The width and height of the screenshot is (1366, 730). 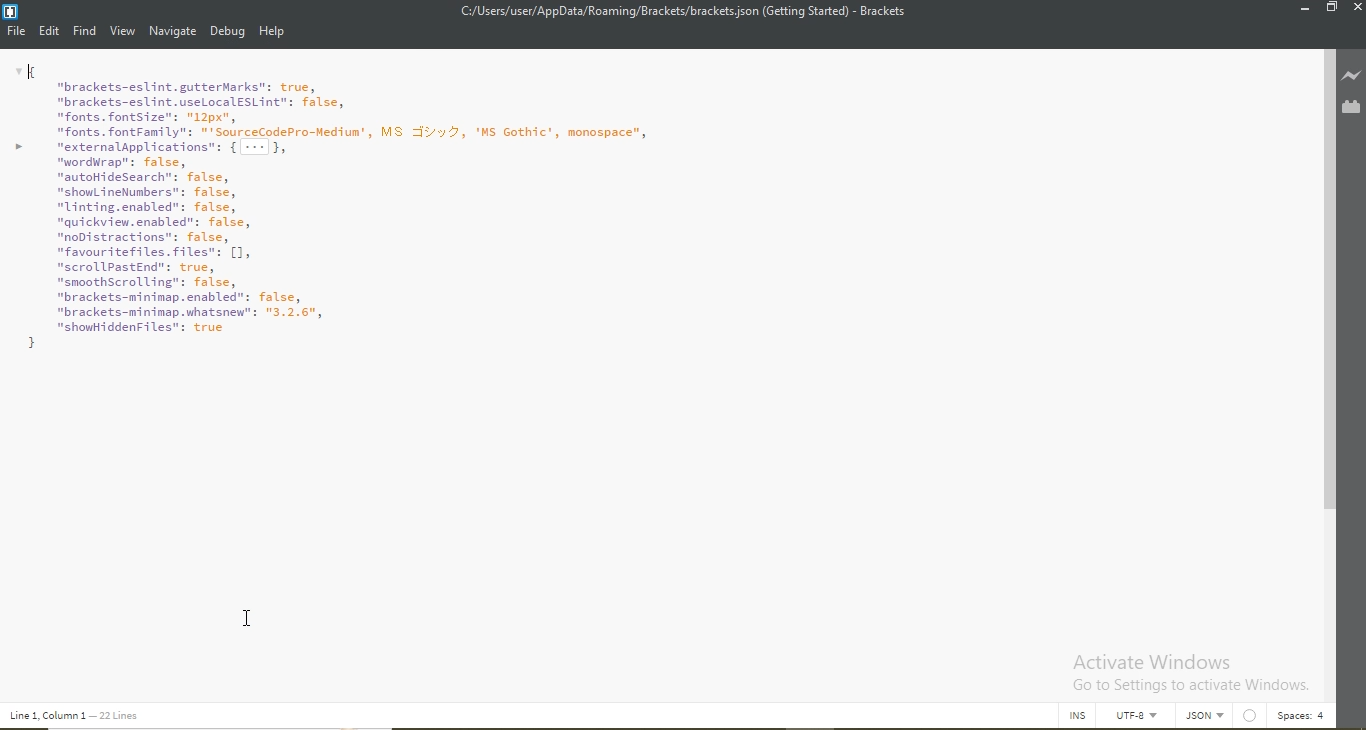 What do you see at coordinates (123, 33) in the screenshot?
I see `View` at bounding box center [123, 33].